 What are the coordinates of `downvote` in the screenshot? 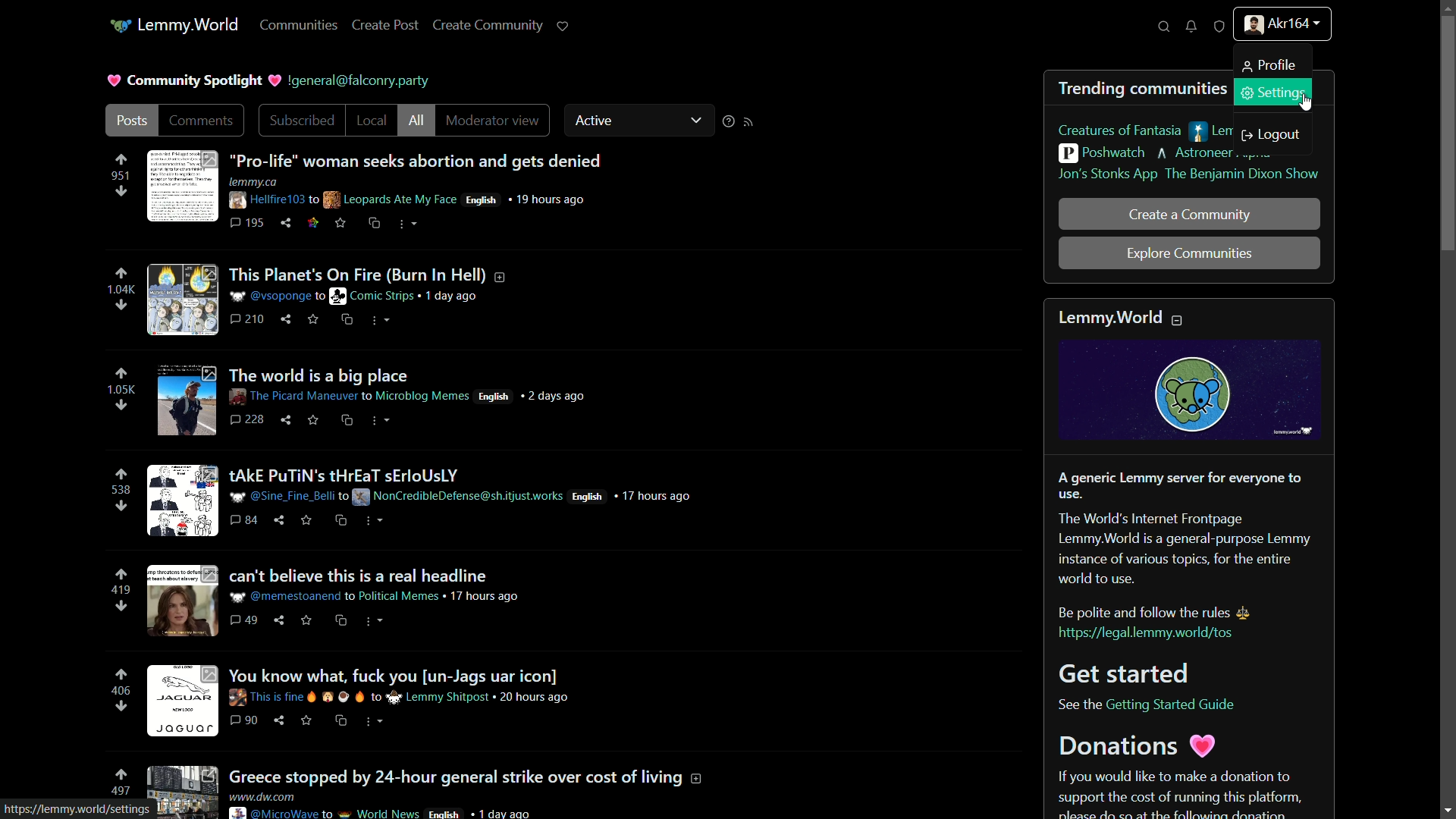 It's located at (121, 305).